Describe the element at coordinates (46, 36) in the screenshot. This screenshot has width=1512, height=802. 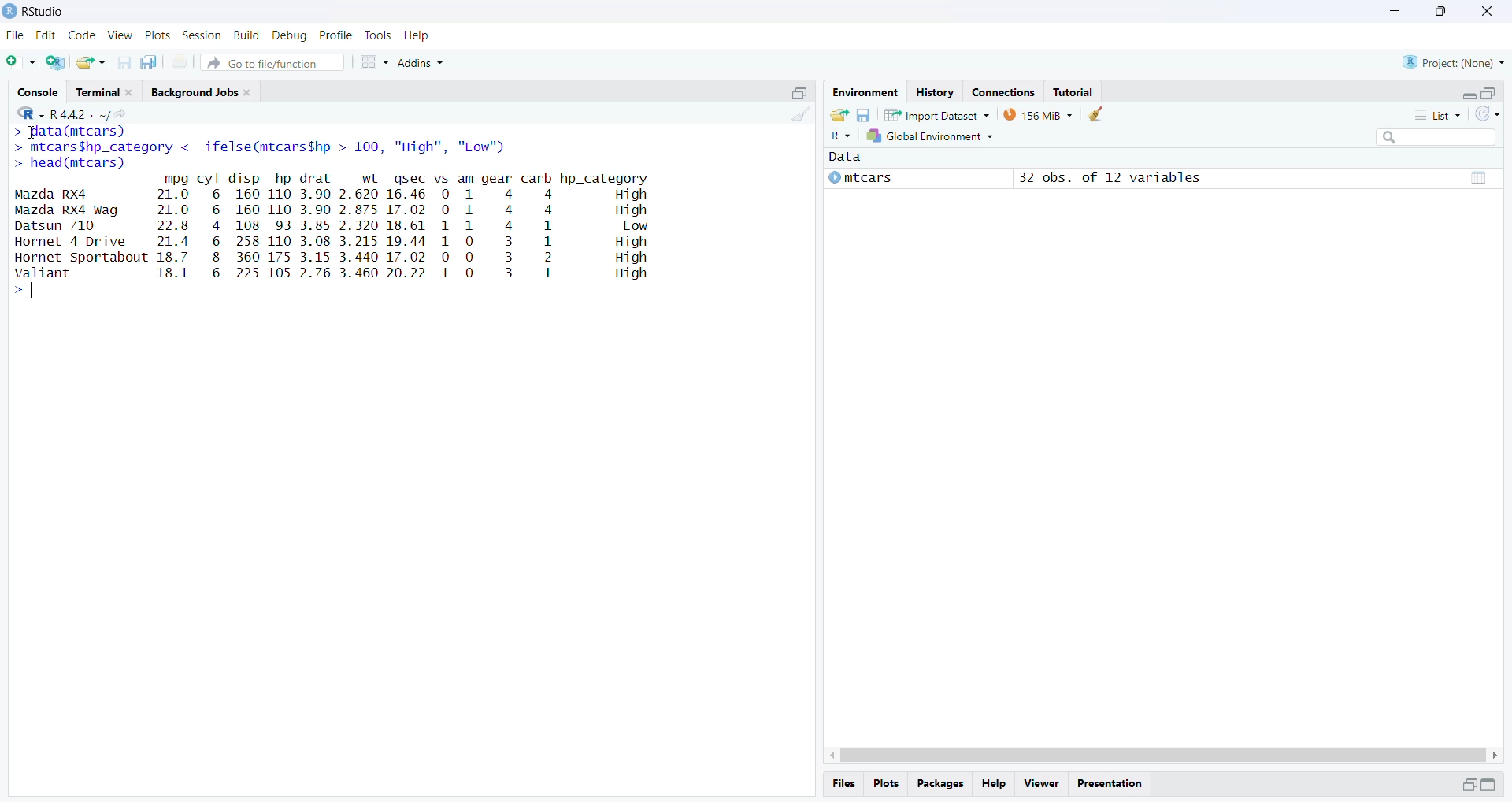
I see `Edit` at that location.